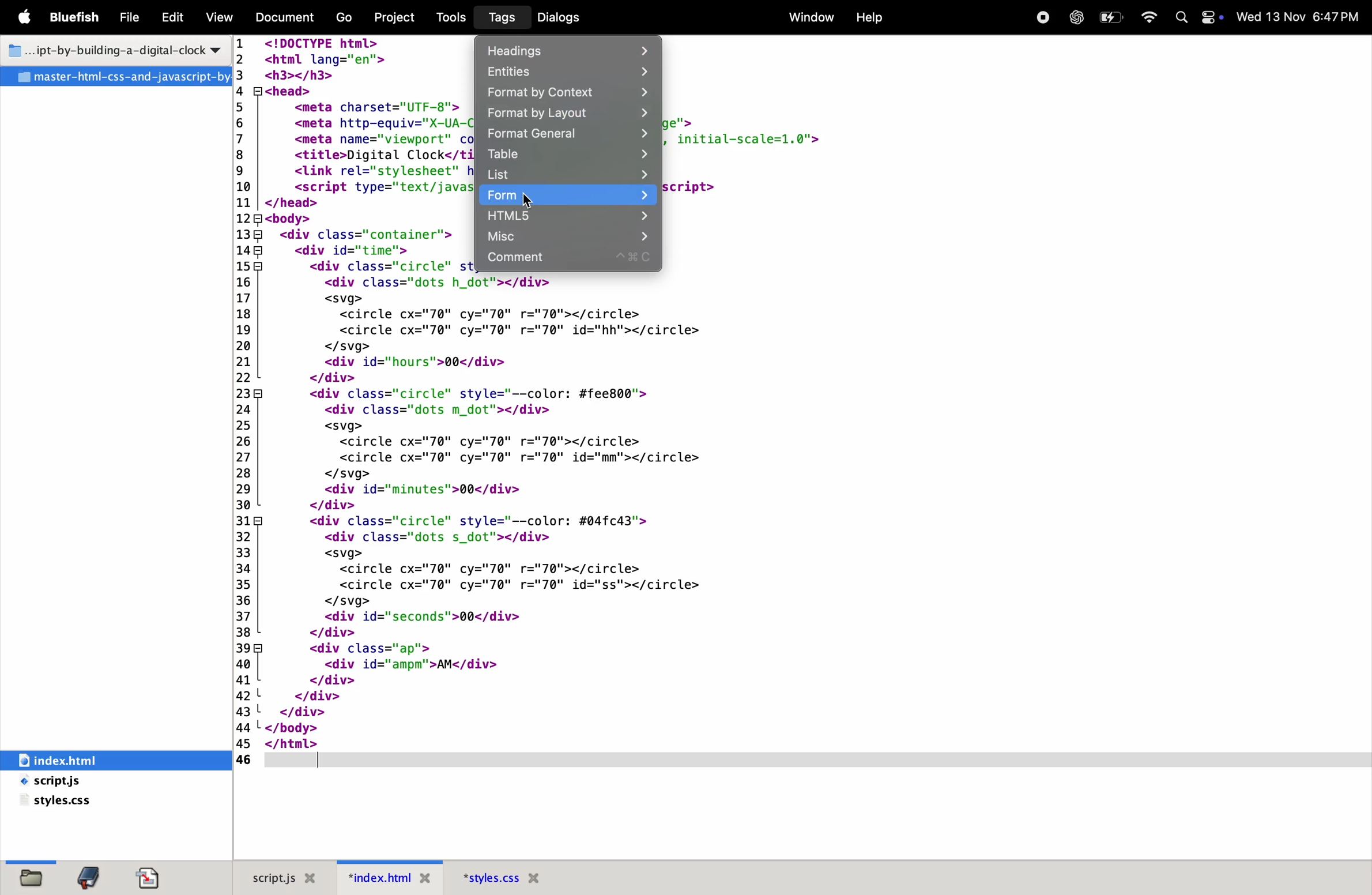  Describe the element at coordinates (808, 18) in the screenshot. I see `window` at that location.